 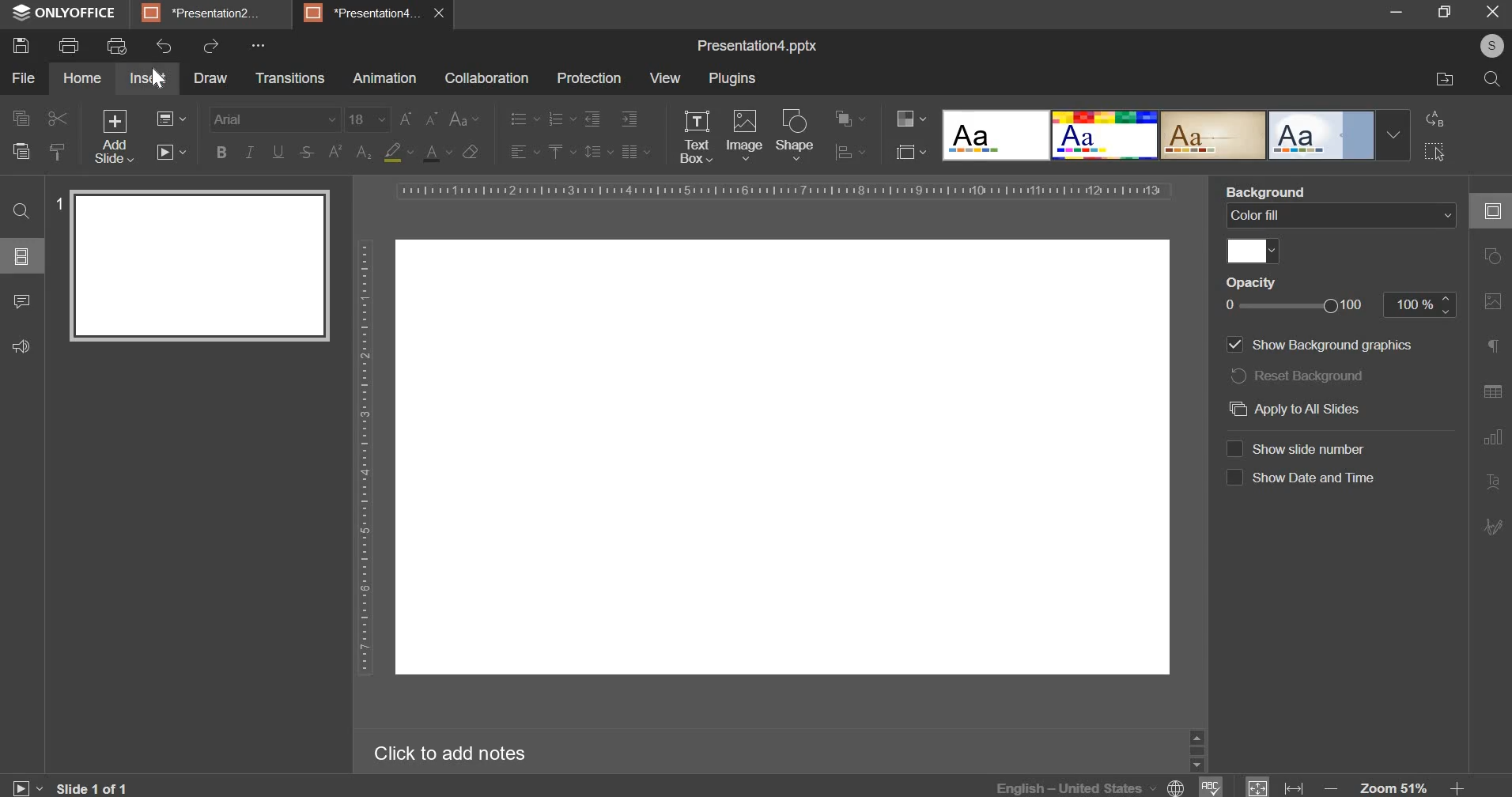 I want to click on collaboration, so click(x=487, y=78).